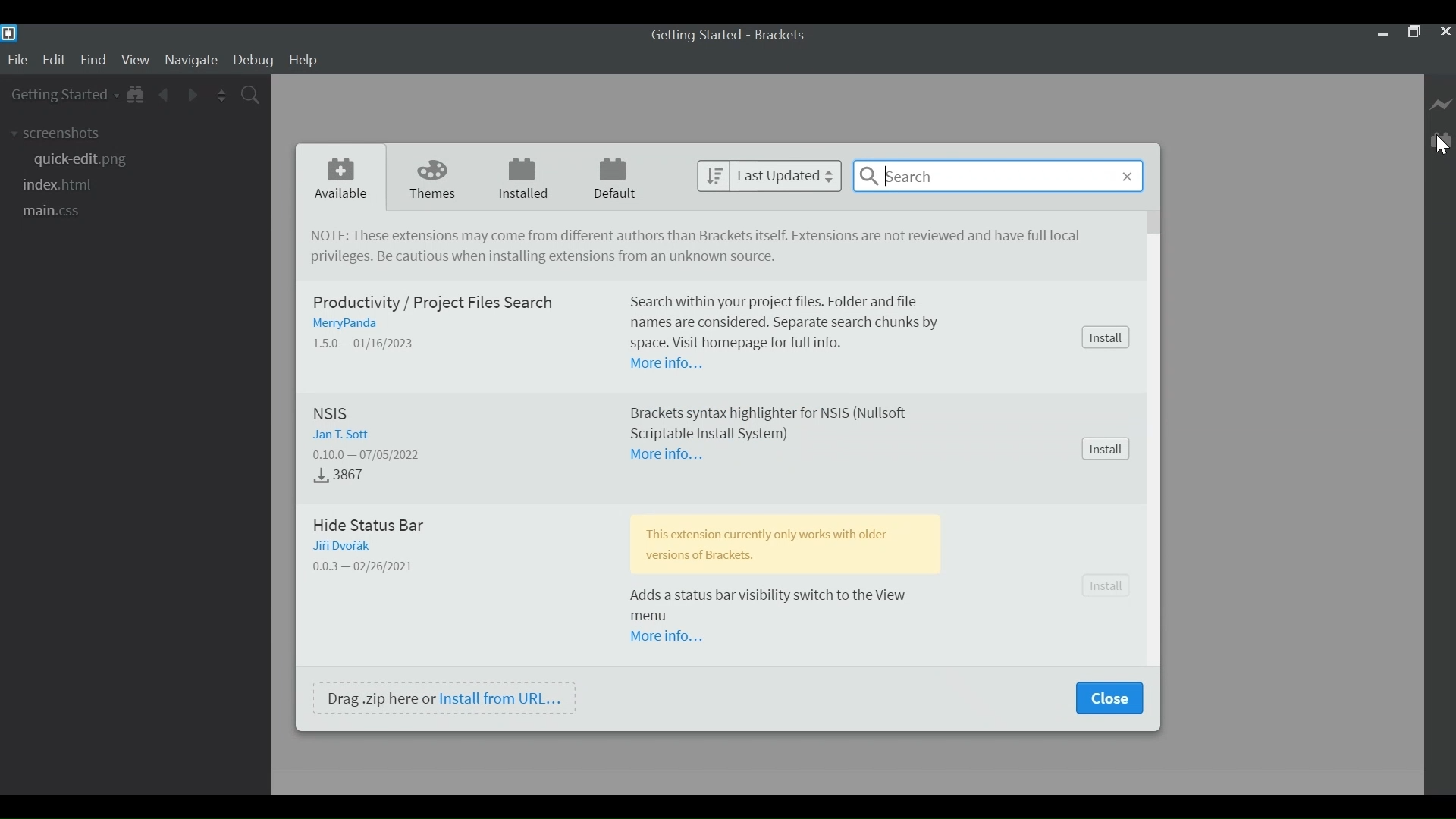  Describe the element at coordinates (256, 61) in the screenshot. I see `Debug` at that location.